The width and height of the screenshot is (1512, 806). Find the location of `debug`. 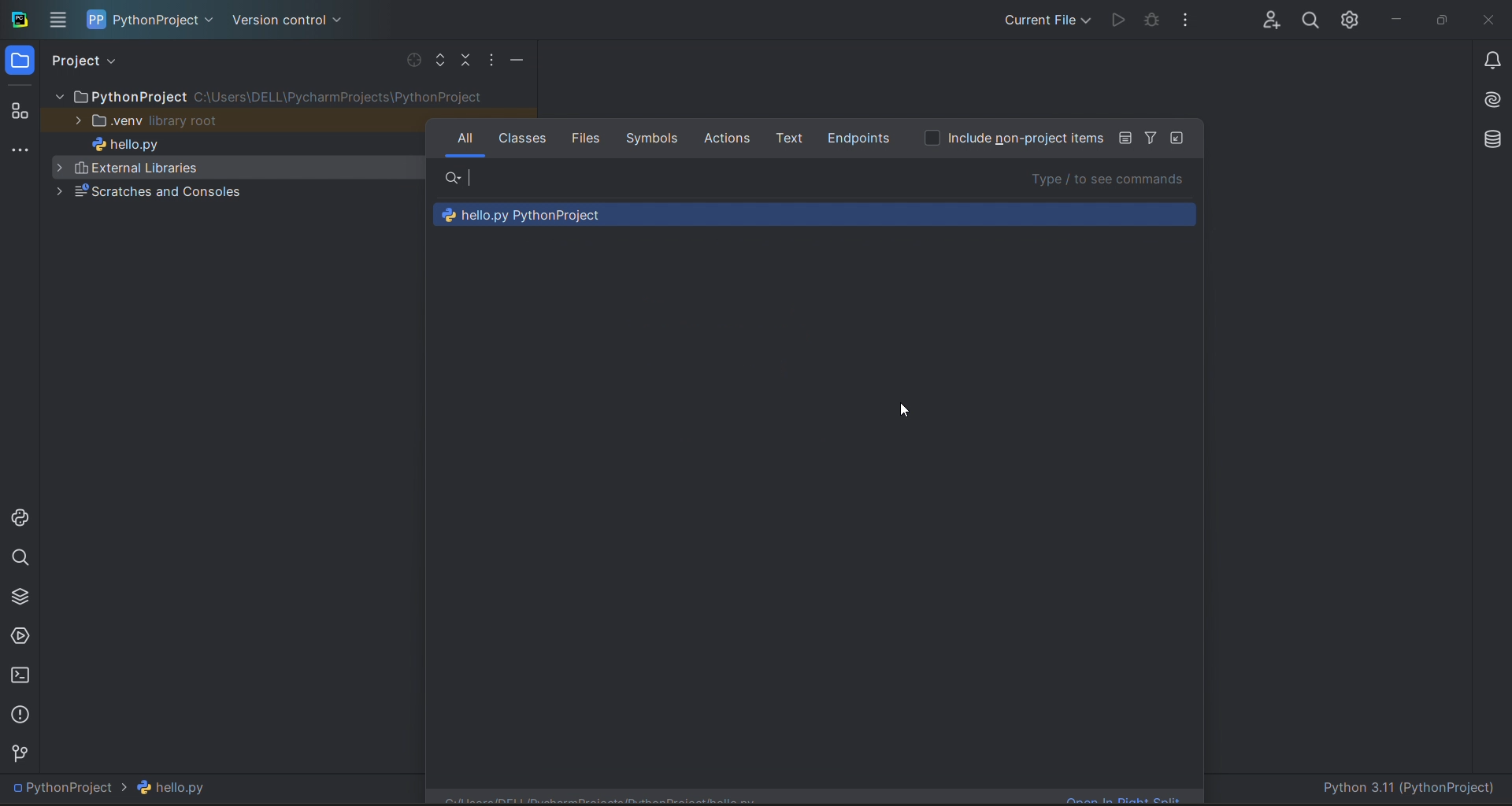

debug is located at coordinates (1152, 18).